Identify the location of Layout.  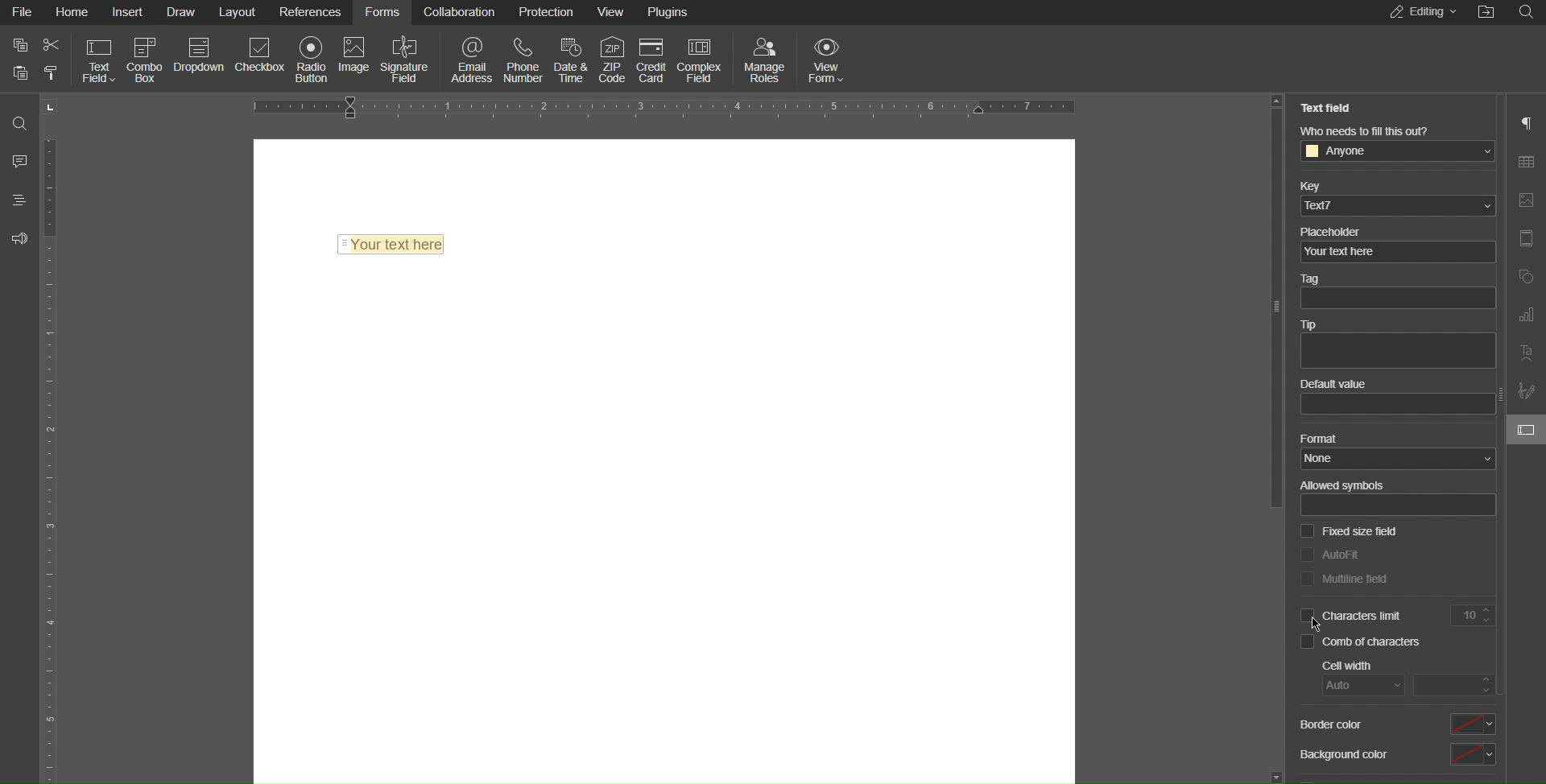
(240, 13).